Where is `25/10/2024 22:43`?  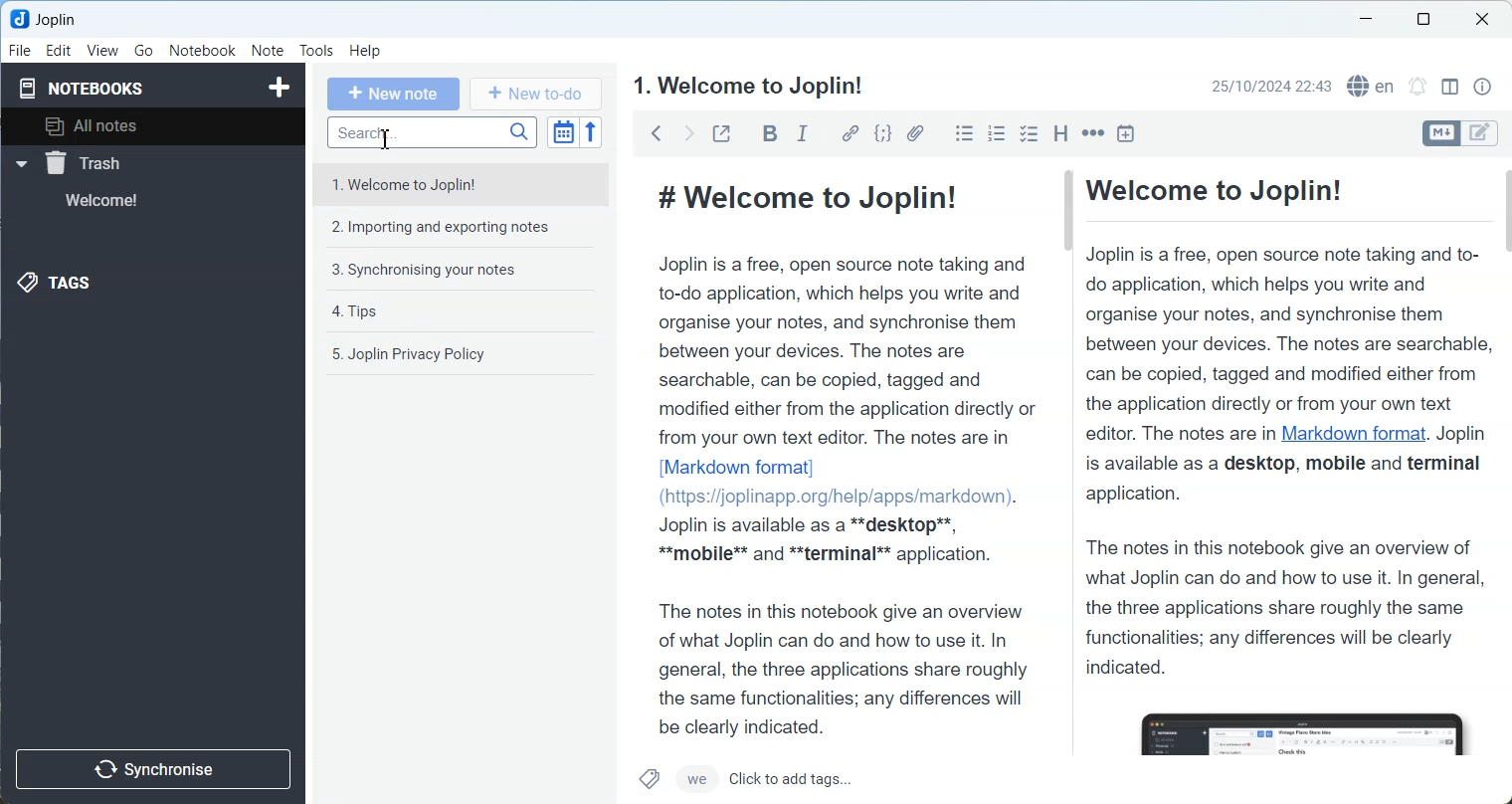 25/10/2024 22:43 is located at coordinates (1271, 86).